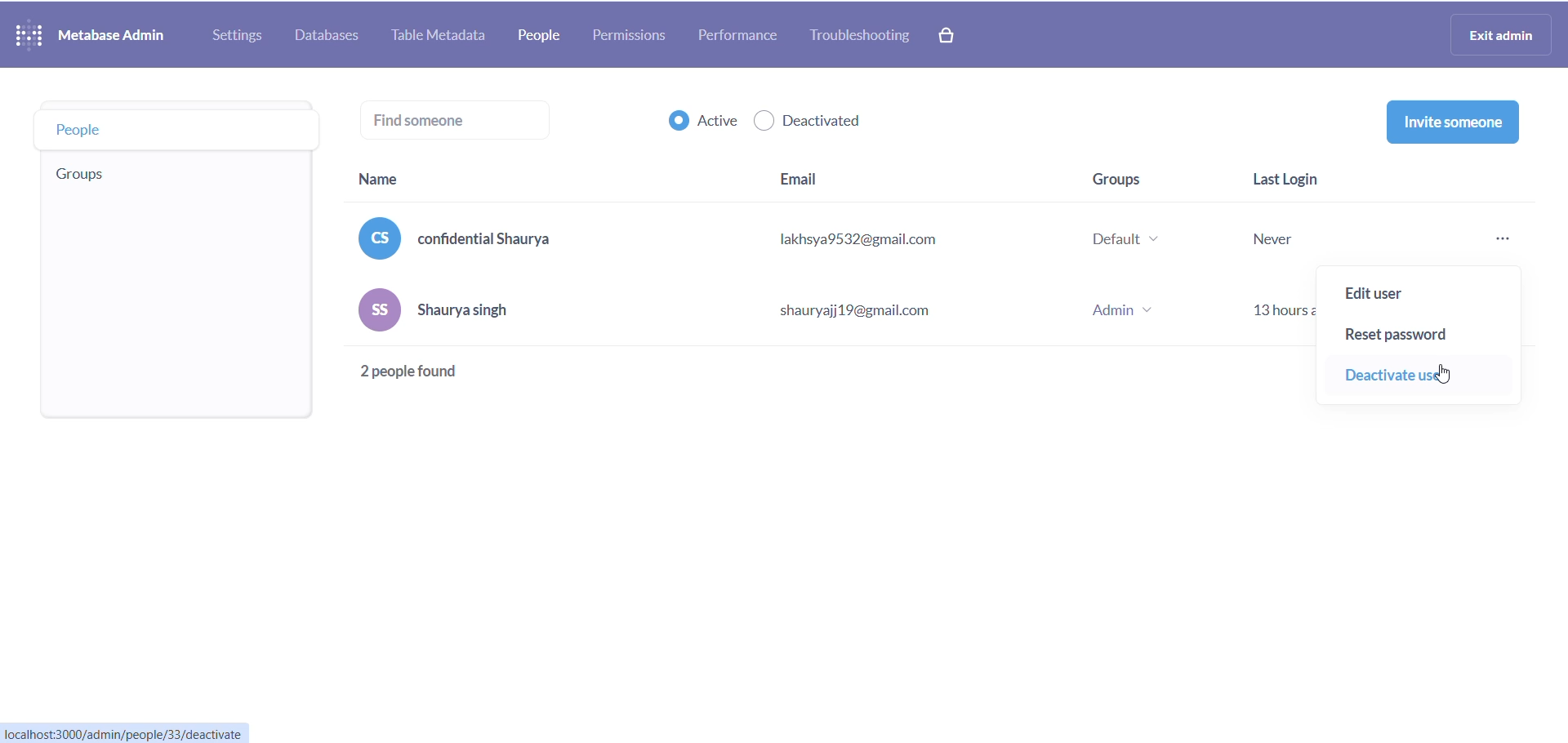 The width and height of the screenshot is (1568, 743). Describe the element at coordinates (1138, 309) in the screenshot. I see `group` at that location.